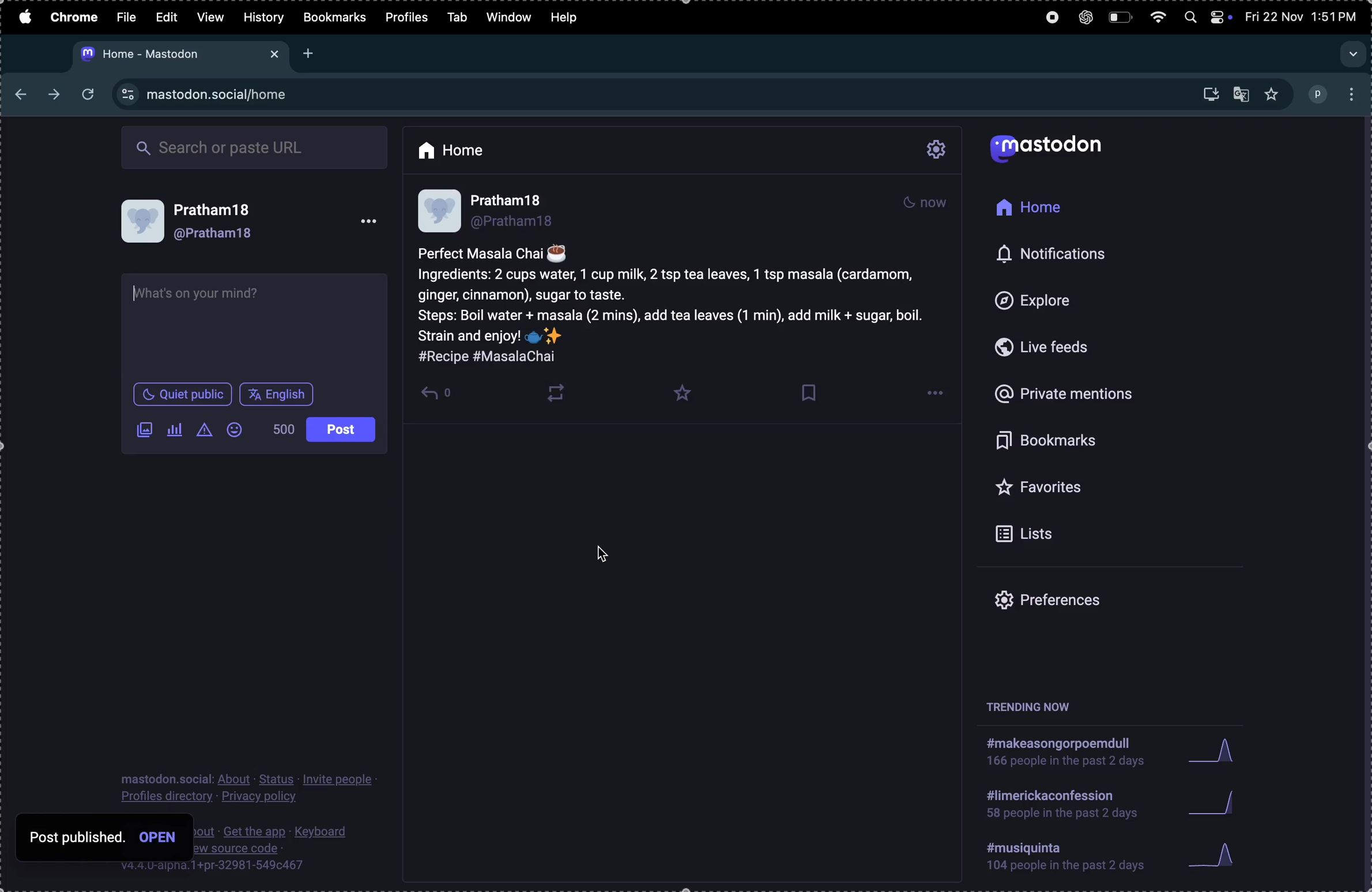 This screenshot has height=892, width=1372. Describe the element at coordinates (126, 18) in the screenshot. I see `file` at that location.